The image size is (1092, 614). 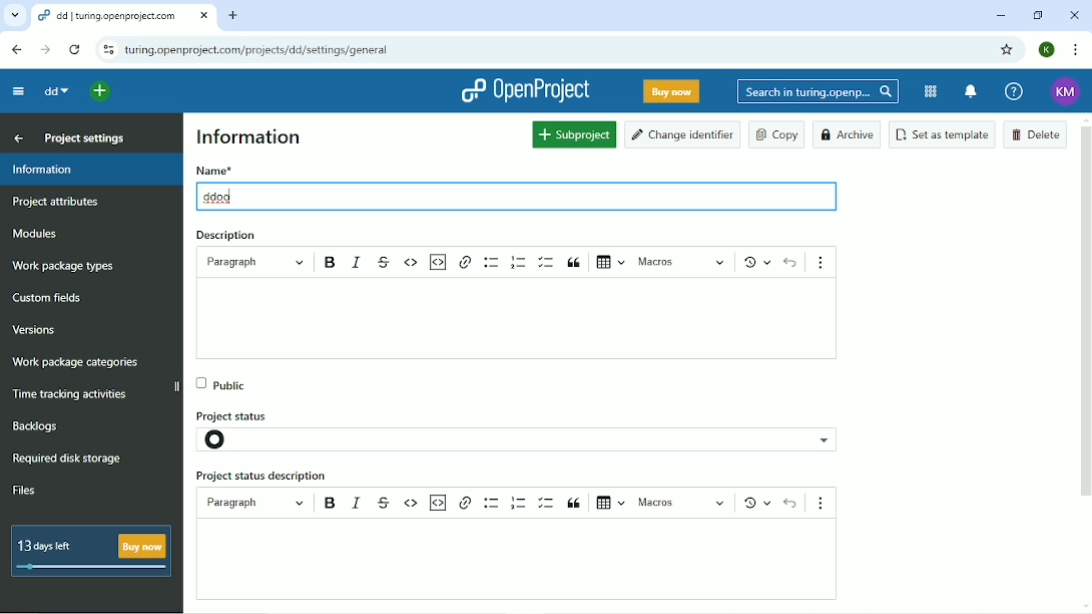 What do you see at coordinates (257, 262) in the screenshot?
I see `Paragraph` at bounding box center [257, 262].